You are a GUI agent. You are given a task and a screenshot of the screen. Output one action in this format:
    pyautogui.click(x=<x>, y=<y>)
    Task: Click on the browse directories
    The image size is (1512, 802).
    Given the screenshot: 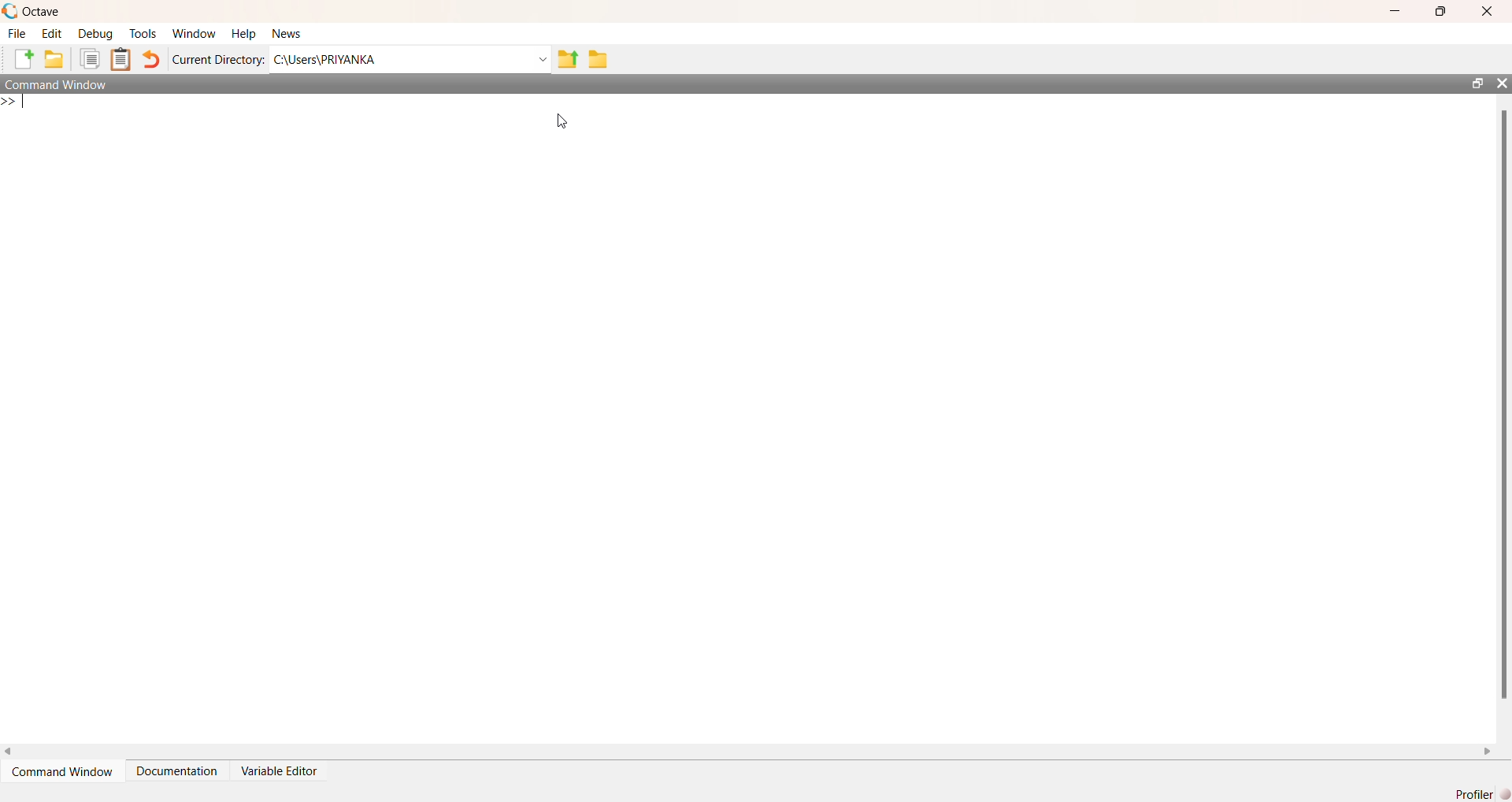 What is the action you would take?
    pyautogui.click(x=598, y=58)
    